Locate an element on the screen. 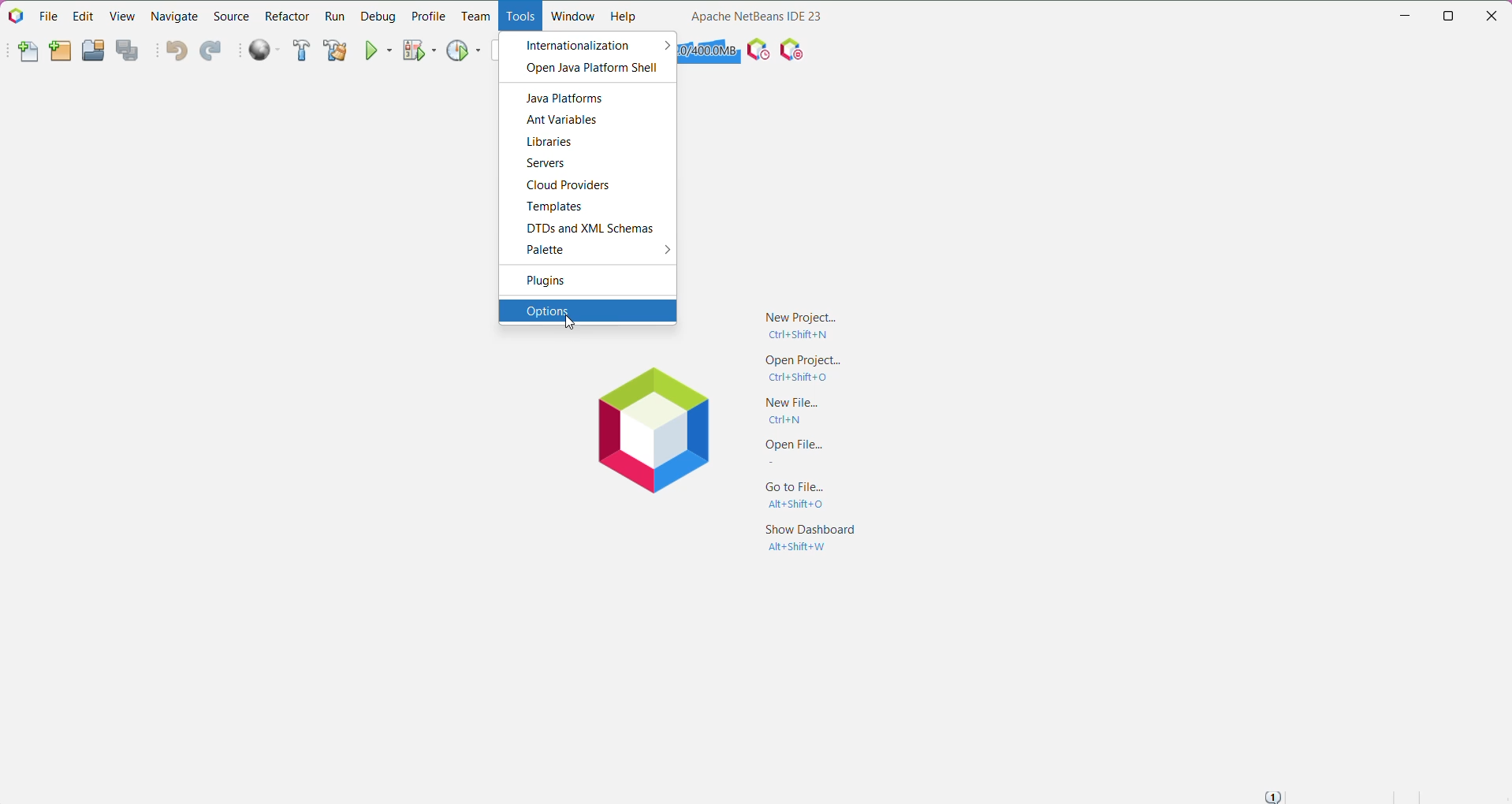  Plugins is located at coordinates (547, 282).